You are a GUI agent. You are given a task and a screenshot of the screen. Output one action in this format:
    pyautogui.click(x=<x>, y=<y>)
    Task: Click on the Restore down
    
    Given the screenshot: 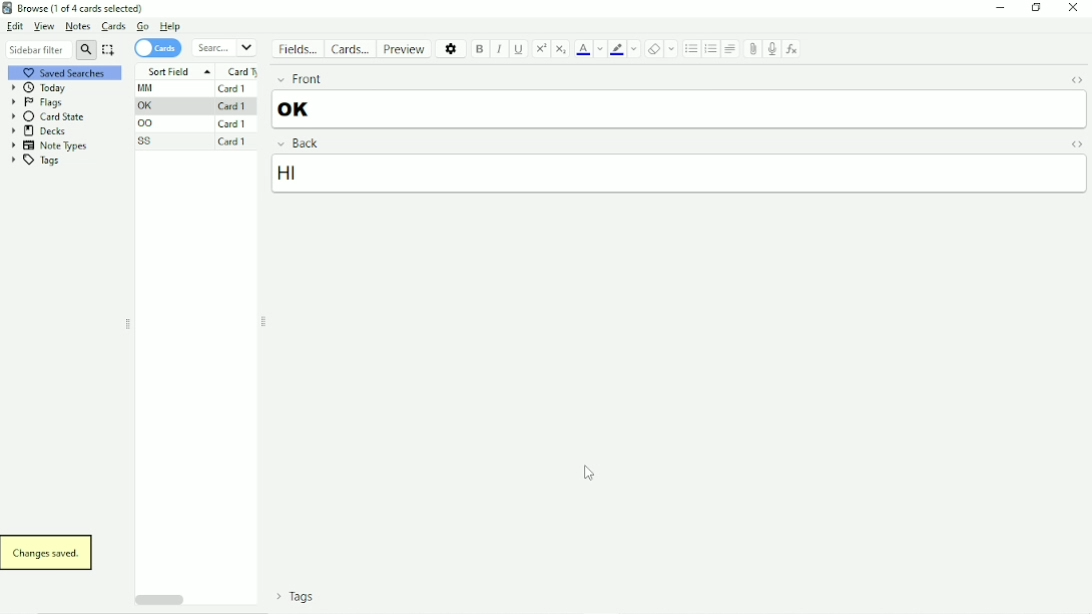 What is the action you would take?
    pyautogui.click(x=1037, y=8)
    